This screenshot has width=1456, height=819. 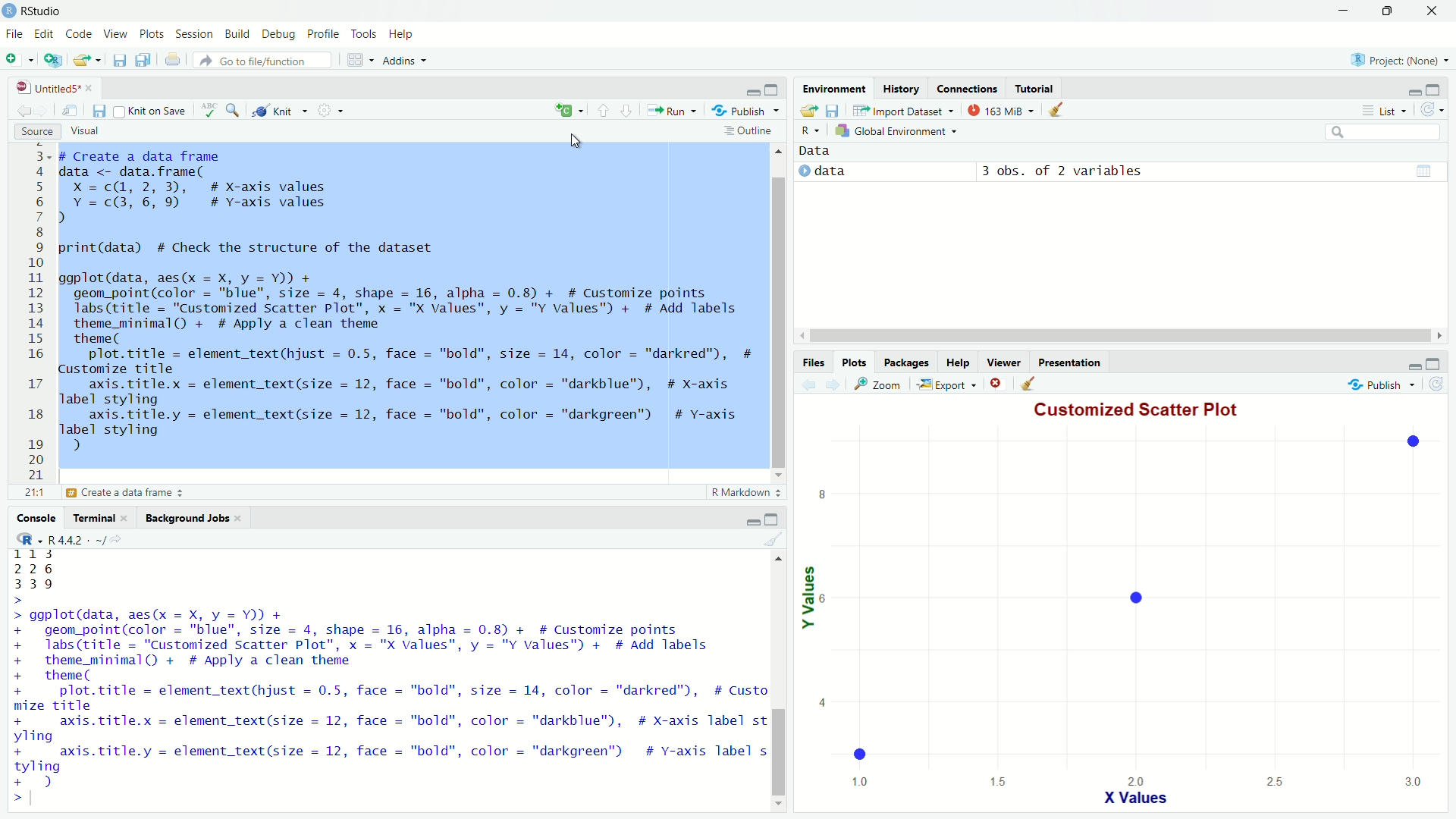 What do you see at coordinates (279, 35) in the screenshot?
I see `Debug` at bounding box center [279, 35].